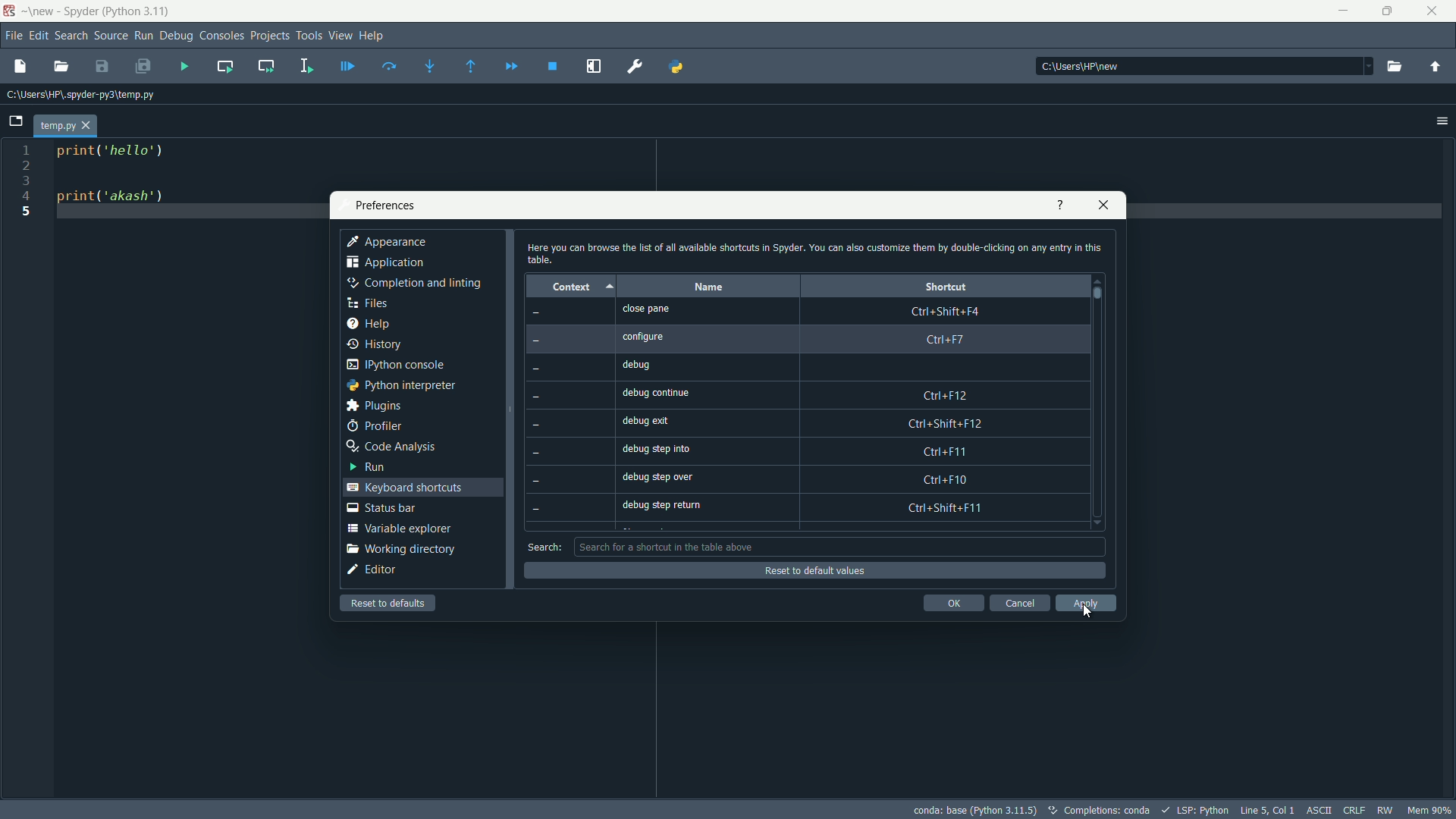 This screenshot has height=819, width=1456. Describe the element at coordinates (384, 262) in the screenshot. I see `application` at that location.